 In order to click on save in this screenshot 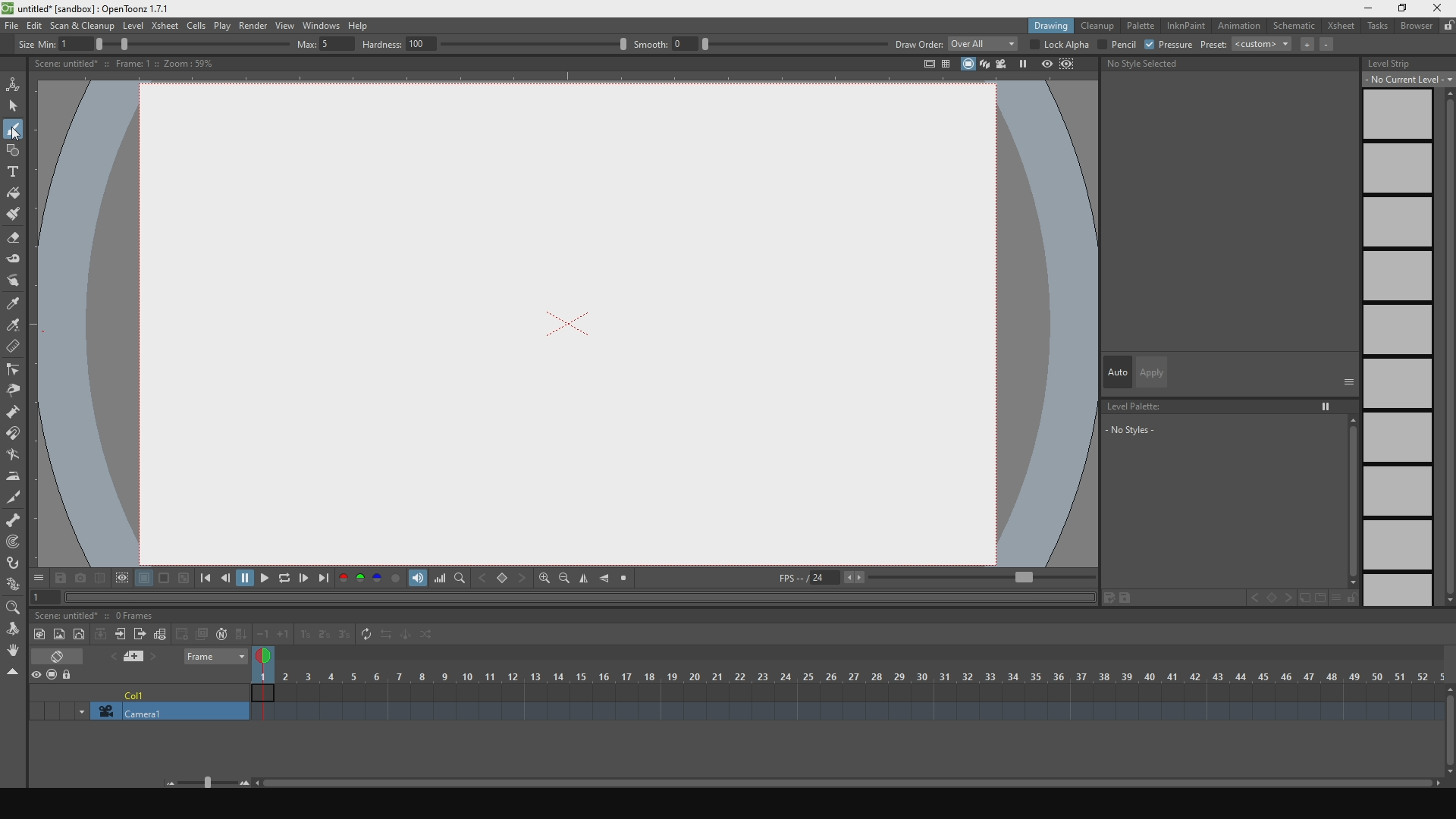, I will do `click(60, 579)`.